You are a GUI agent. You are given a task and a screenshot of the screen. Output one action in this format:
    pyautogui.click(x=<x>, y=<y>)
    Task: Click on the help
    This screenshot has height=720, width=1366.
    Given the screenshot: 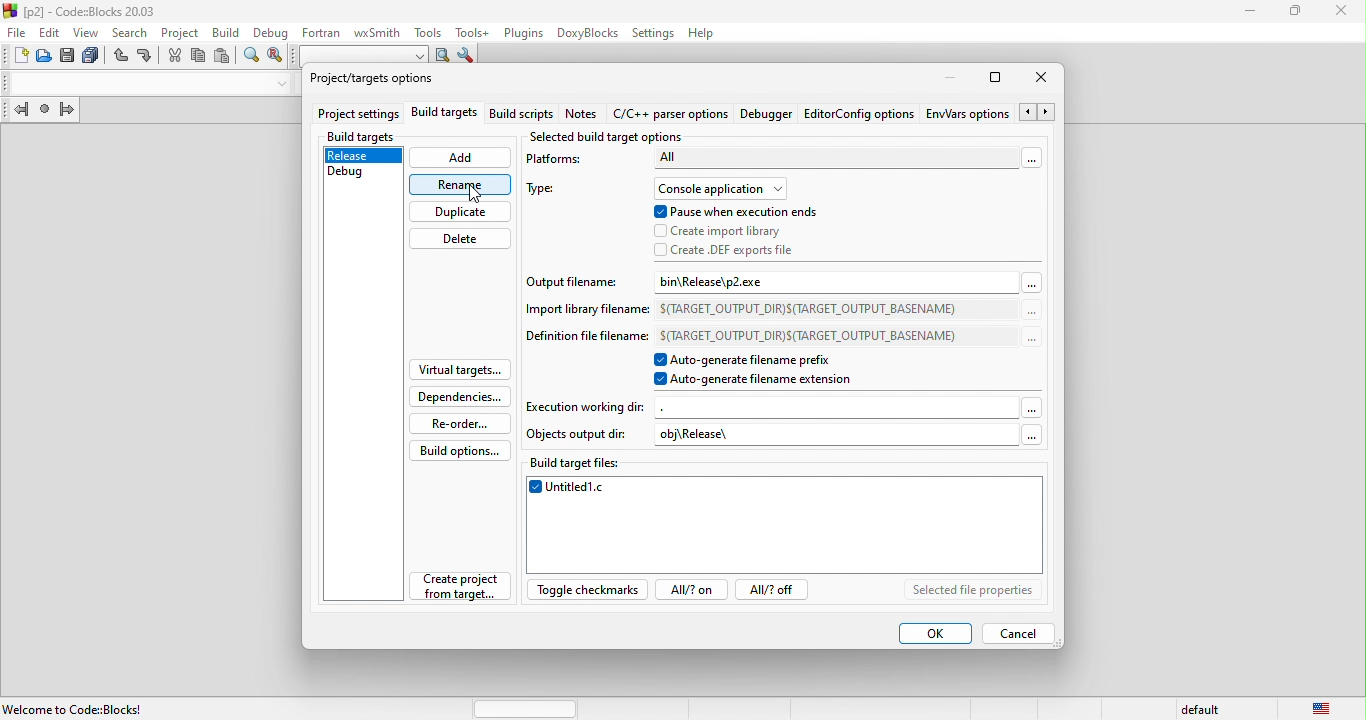 What is the action you would take?
    pyautogui.click(x=707, y=33)
    